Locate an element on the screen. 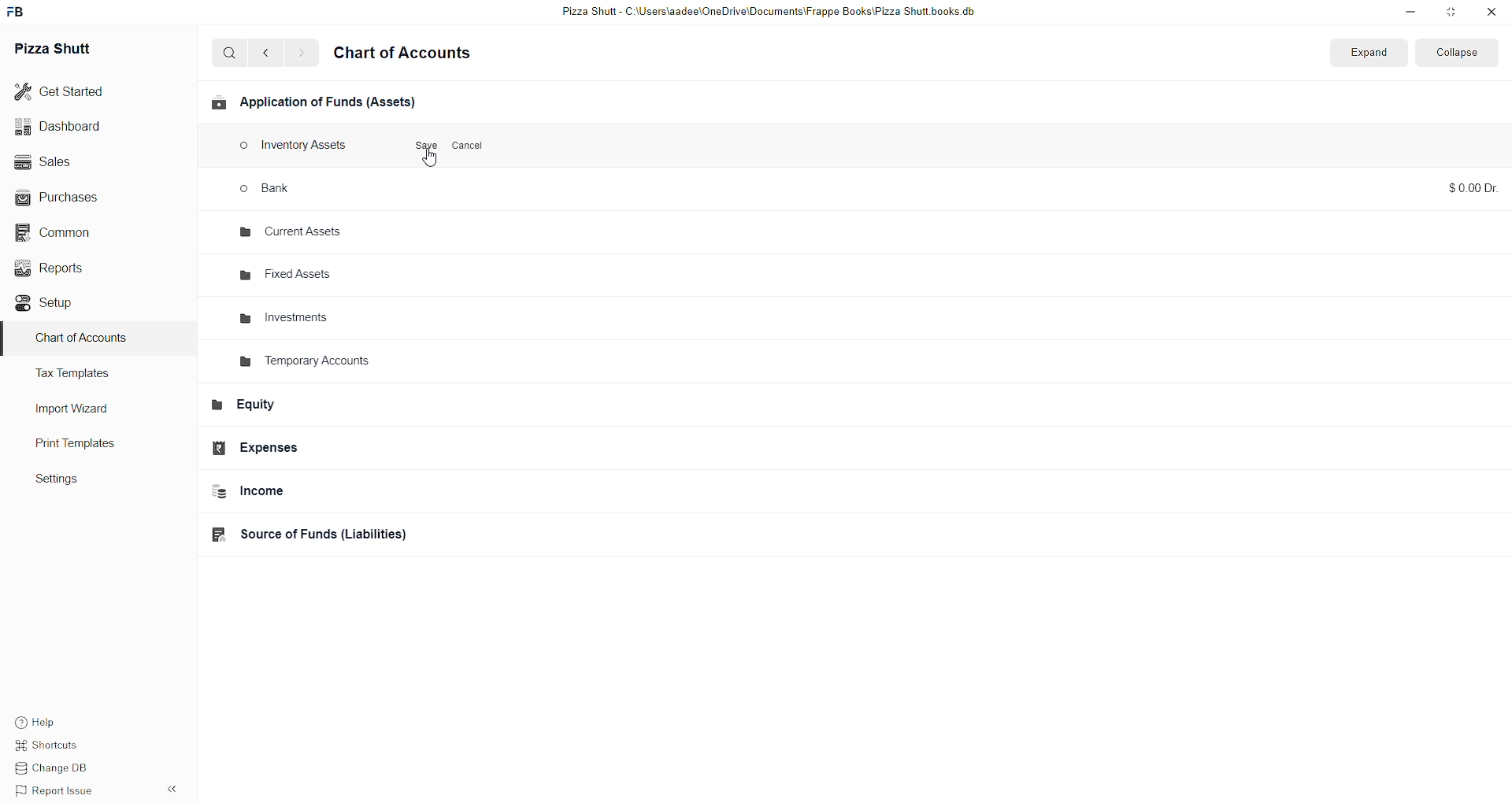 The height and width of the screenshot is (803, 1512). search is located at coordinates (230, 54).